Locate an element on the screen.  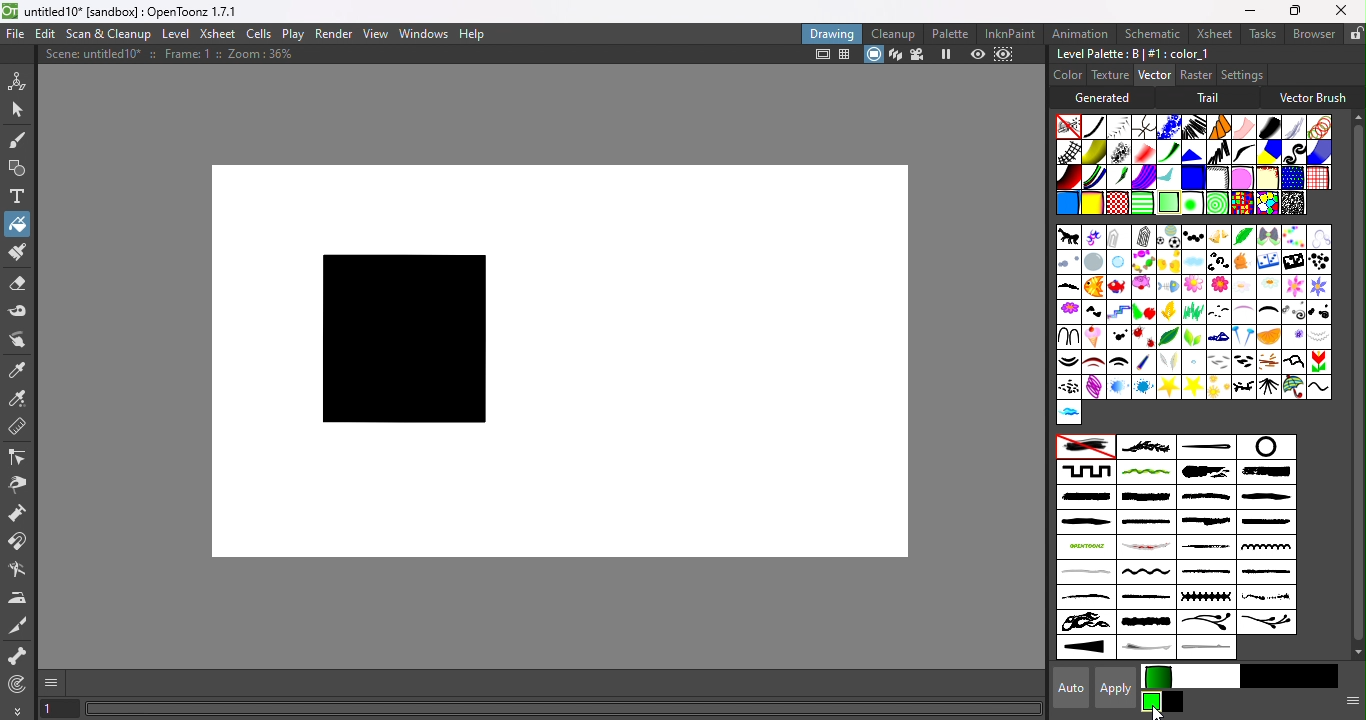
scratch is located at coordinates (1143, 548).